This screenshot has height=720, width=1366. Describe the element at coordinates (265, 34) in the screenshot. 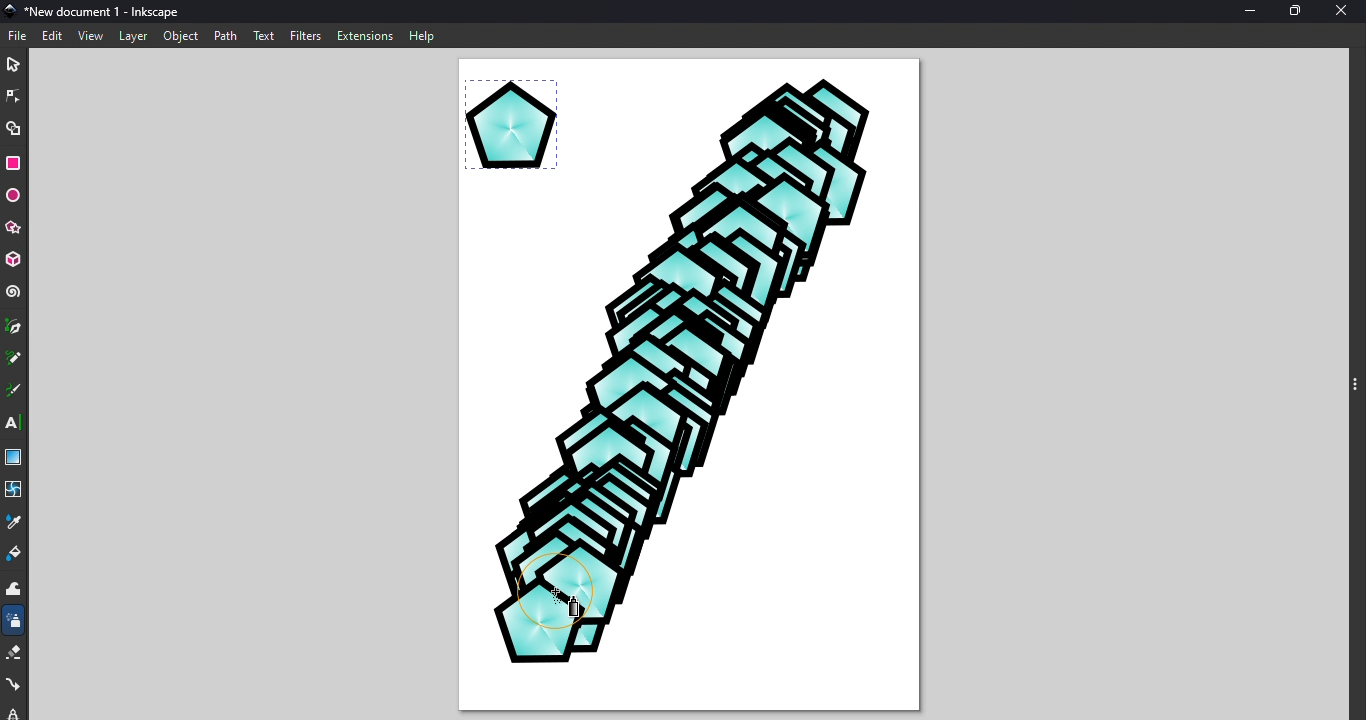

I see `Text` at that location.